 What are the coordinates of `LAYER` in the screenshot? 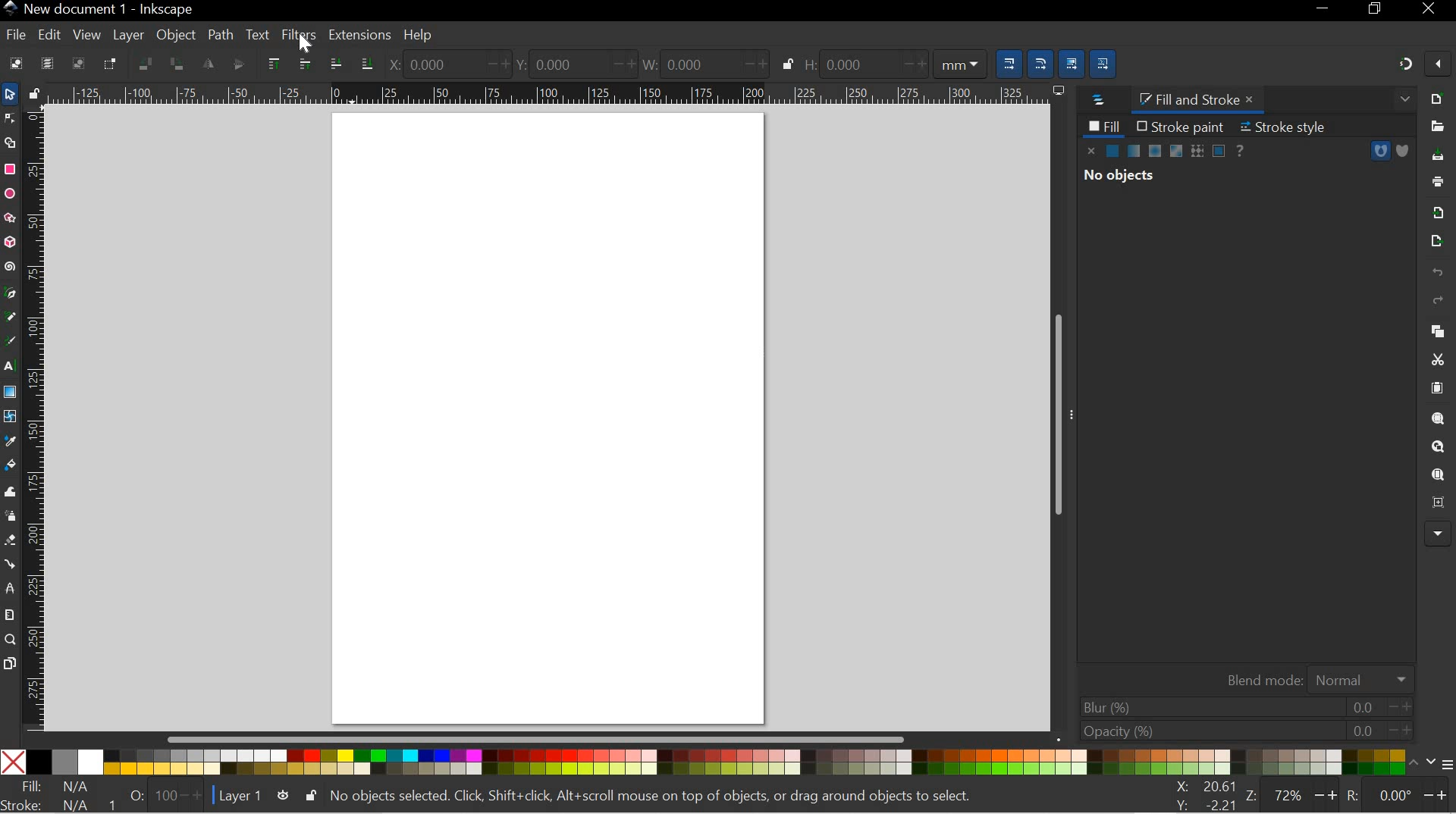 It's located at (129, 35).